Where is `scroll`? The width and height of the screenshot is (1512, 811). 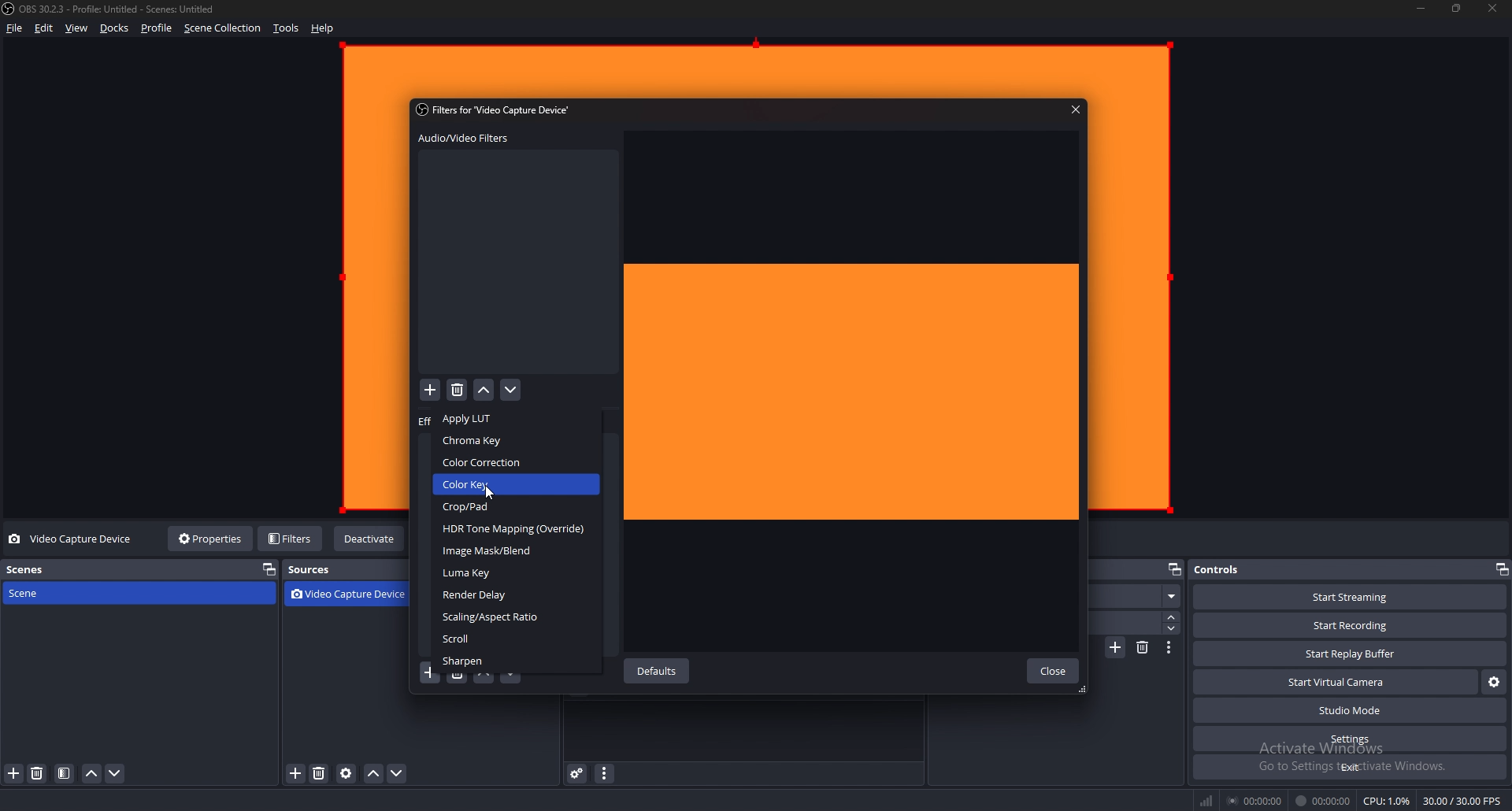 scroll is located at coordinates (516, 638).